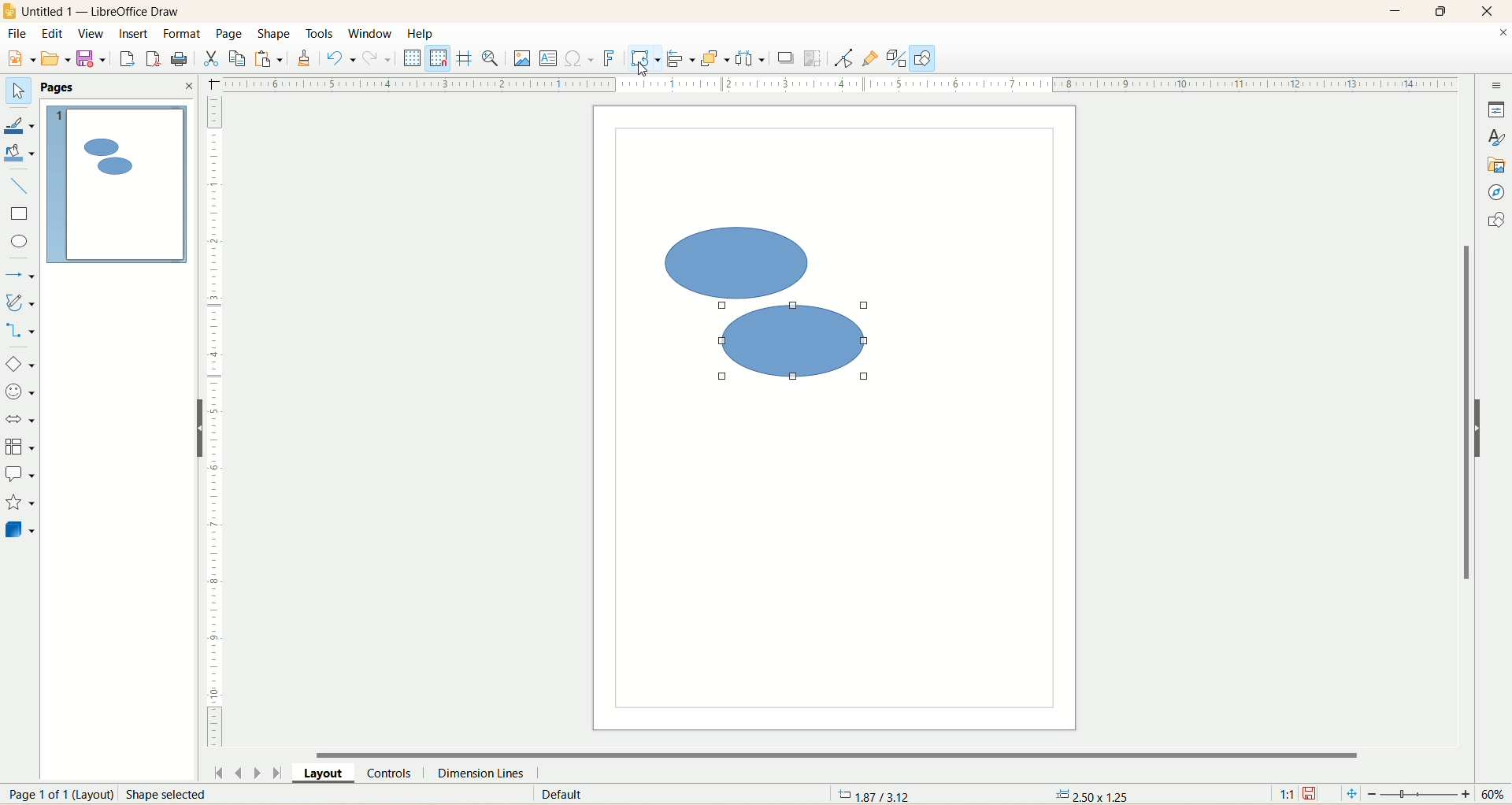 The image size is (1512, 805). Describe the element at coordinates (20, 154) in the screenshot. I see `fill color` at that location.